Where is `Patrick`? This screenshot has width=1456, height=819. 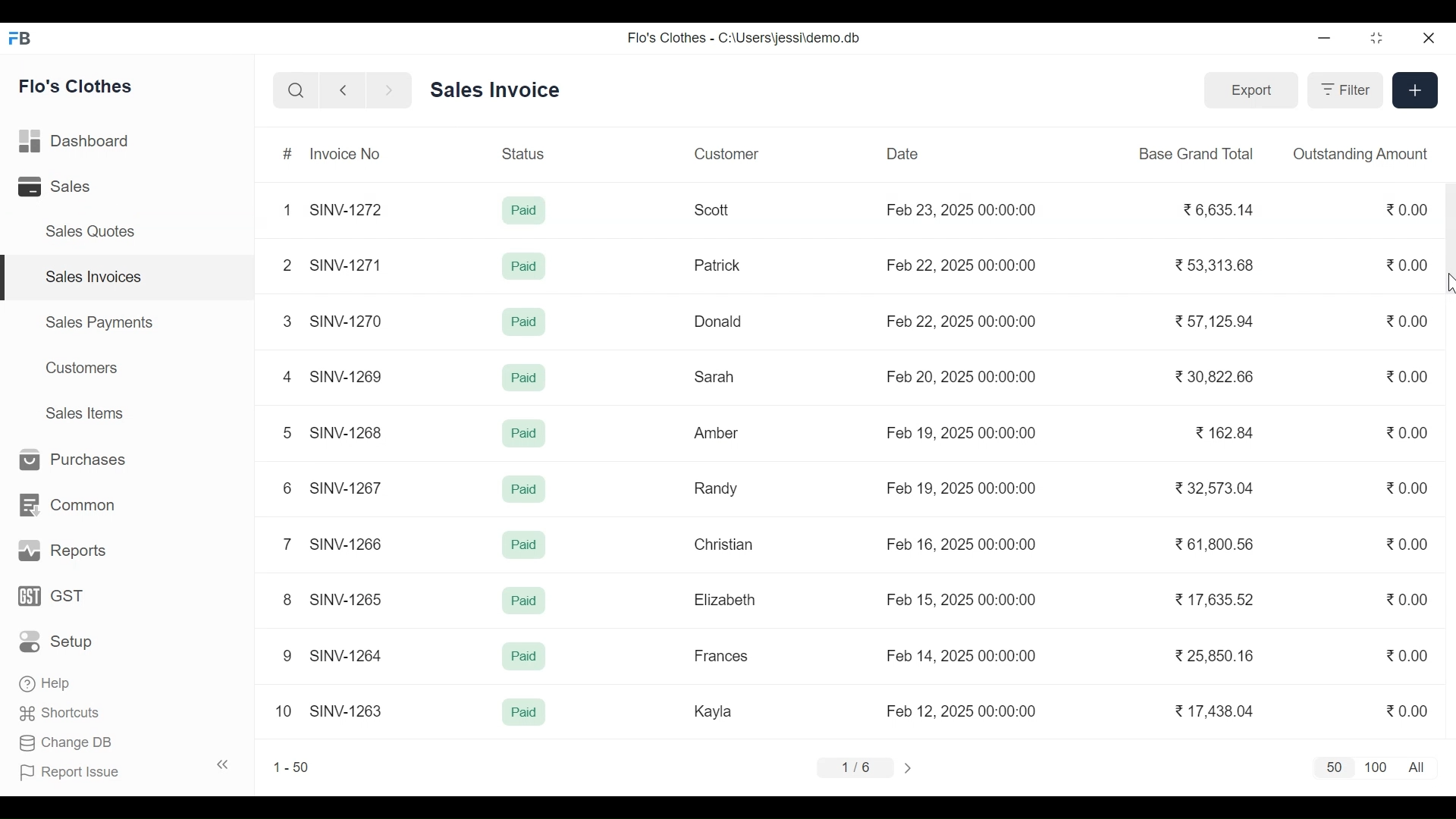 Patrick is located at coordinates (719, 265).